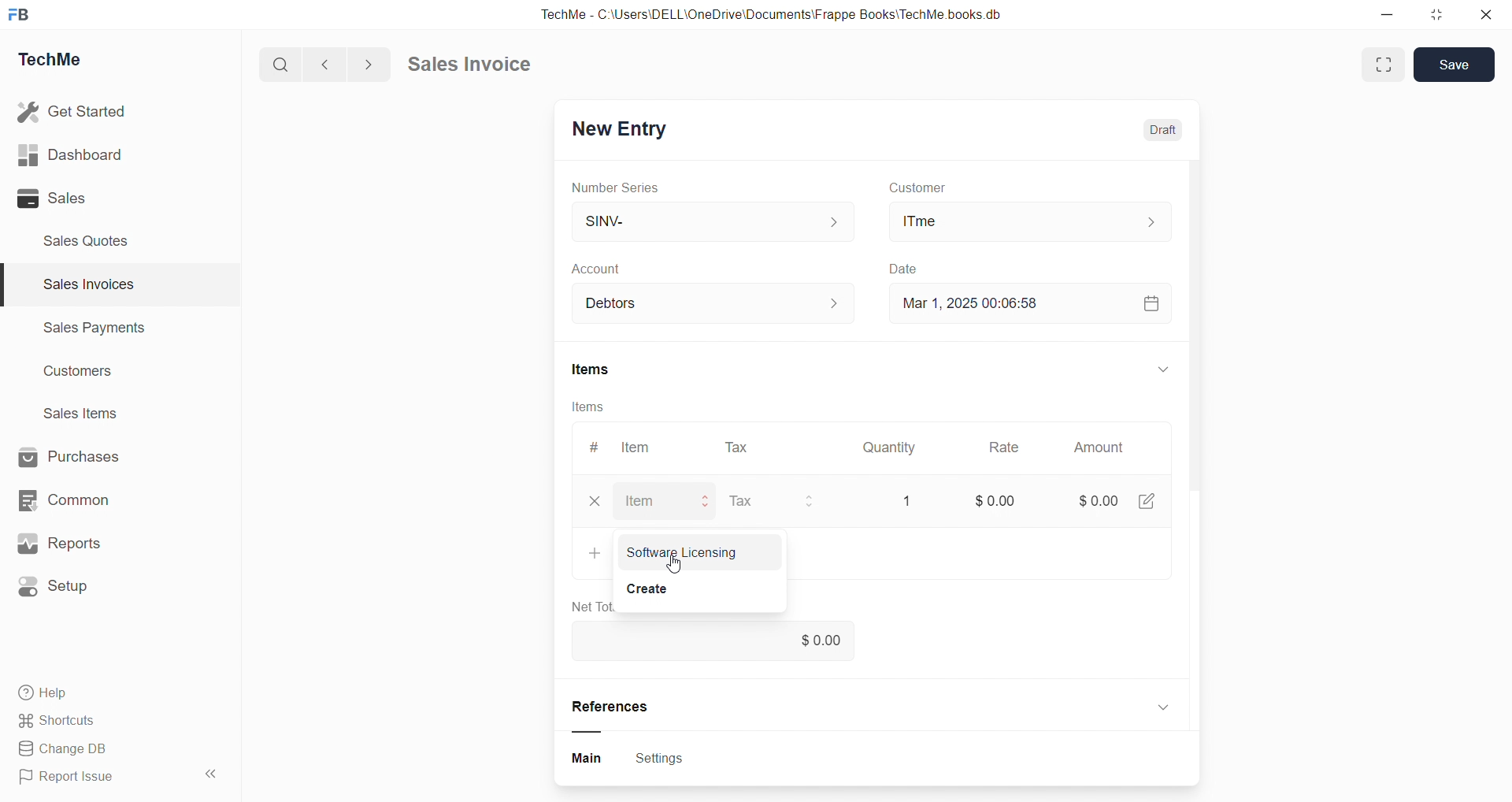 Image resolution: width=1512 pixels, height=802 pixels. Describe the element at coordinates (630, 447) in the screenshot. I see `# Item` at that location.